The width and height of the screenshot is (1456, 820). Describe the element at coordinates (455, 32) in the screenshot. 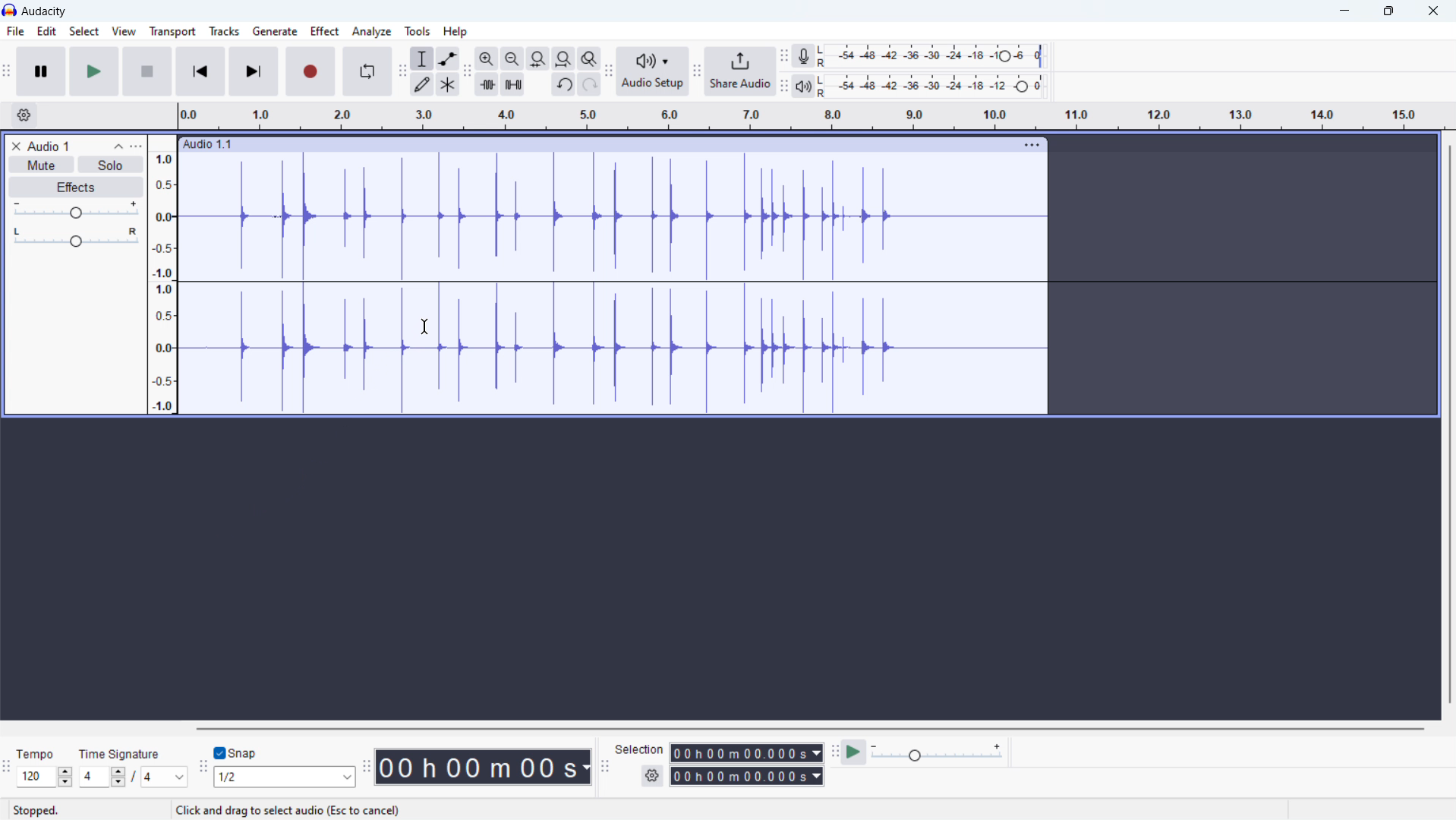

I see `help` at that location.